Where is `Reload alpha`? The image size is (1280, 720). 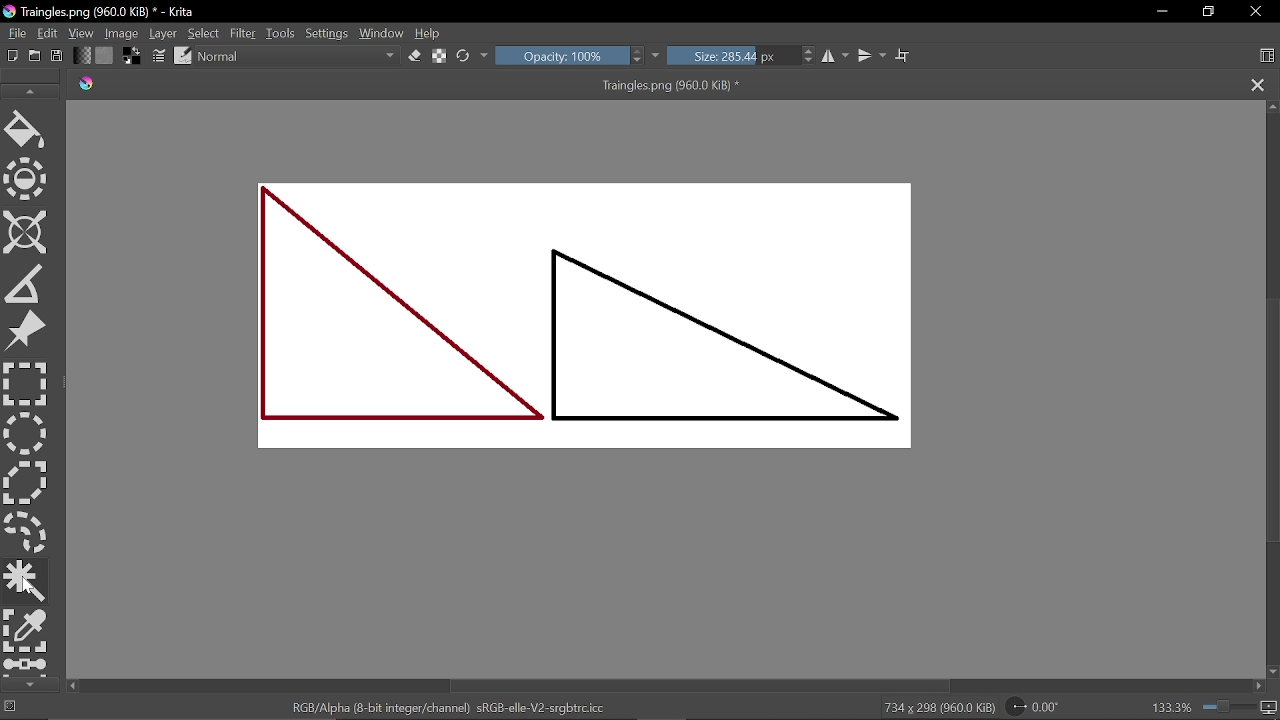 Reload alpha is located at coordinates (441, 57).